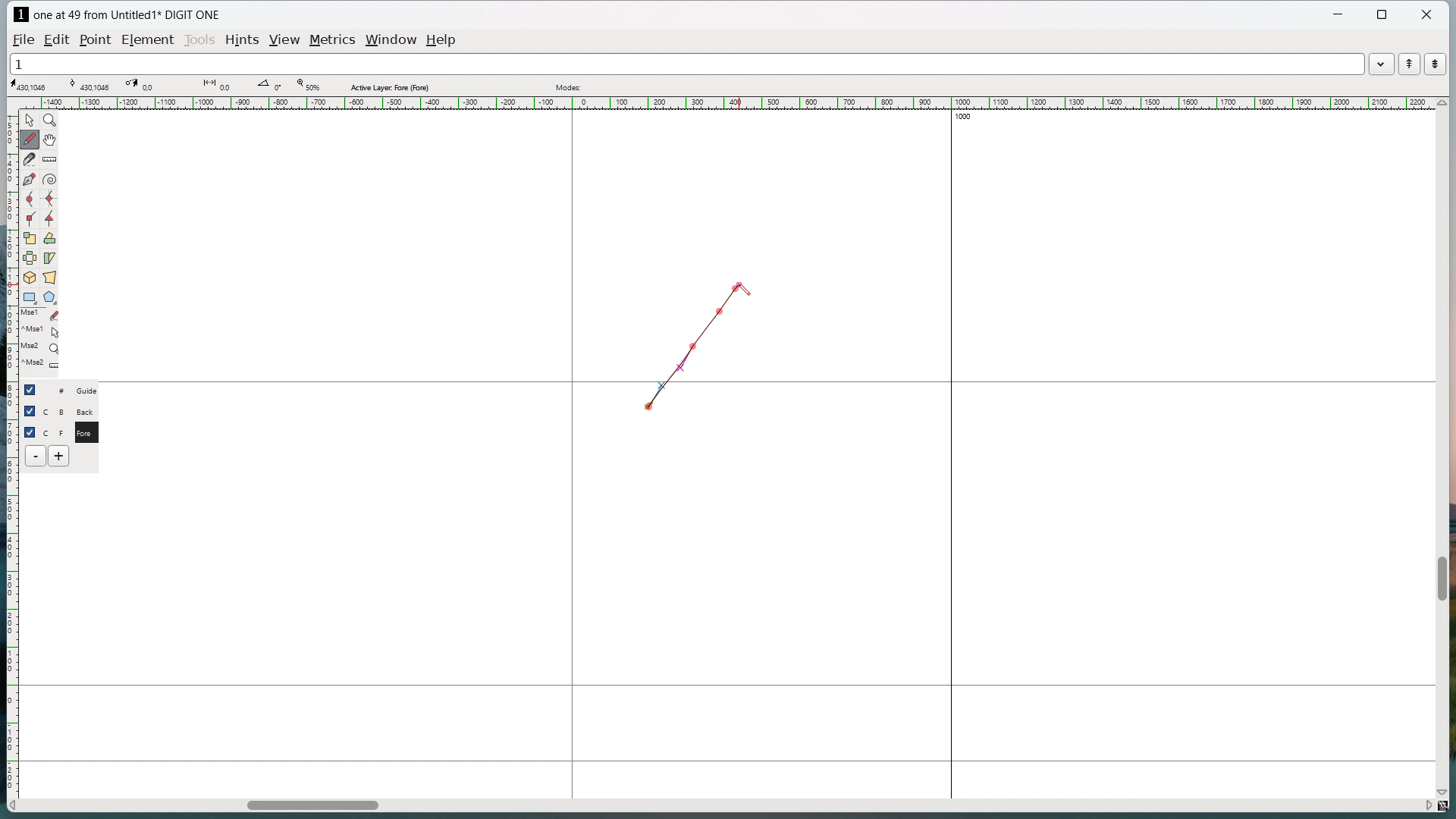 The height and width of the screenshot is (819, 1456). I want to click on maximize, so click(1383, 15).